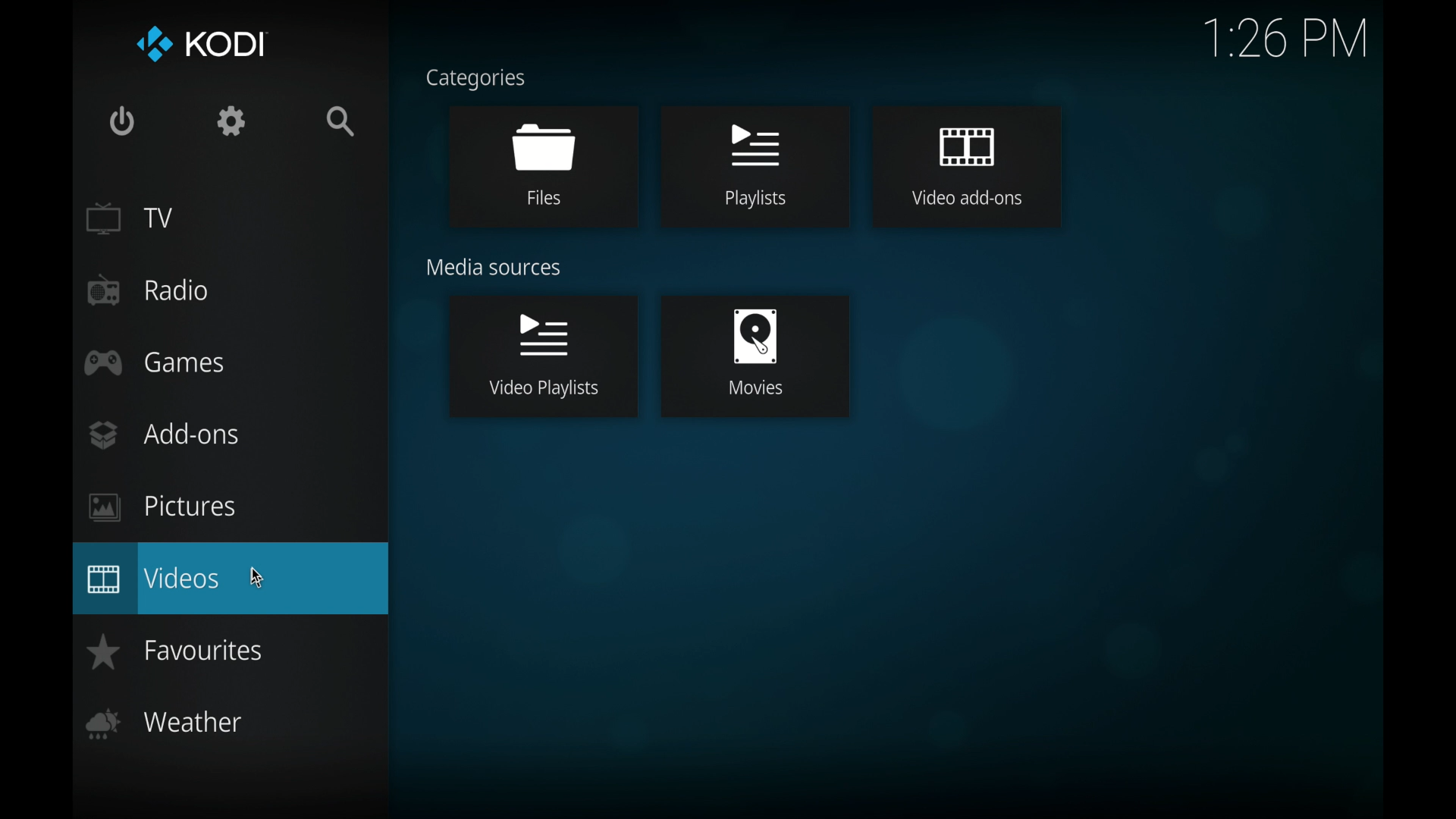 Image resolution: width=1456 pixels, height=819 pixels. I want to click on movies, so click(755, 358).